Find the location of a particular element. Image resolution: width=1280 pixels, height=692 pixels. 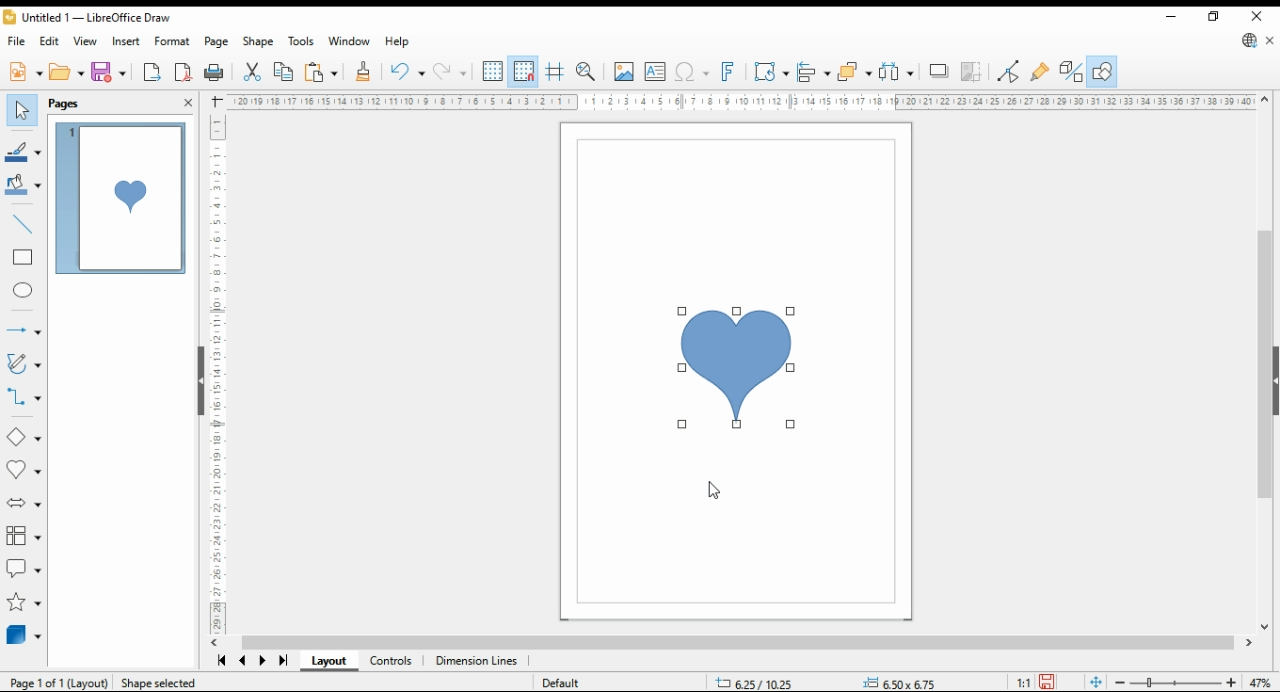

libre office draw update is located at coordinates (1250, 40).